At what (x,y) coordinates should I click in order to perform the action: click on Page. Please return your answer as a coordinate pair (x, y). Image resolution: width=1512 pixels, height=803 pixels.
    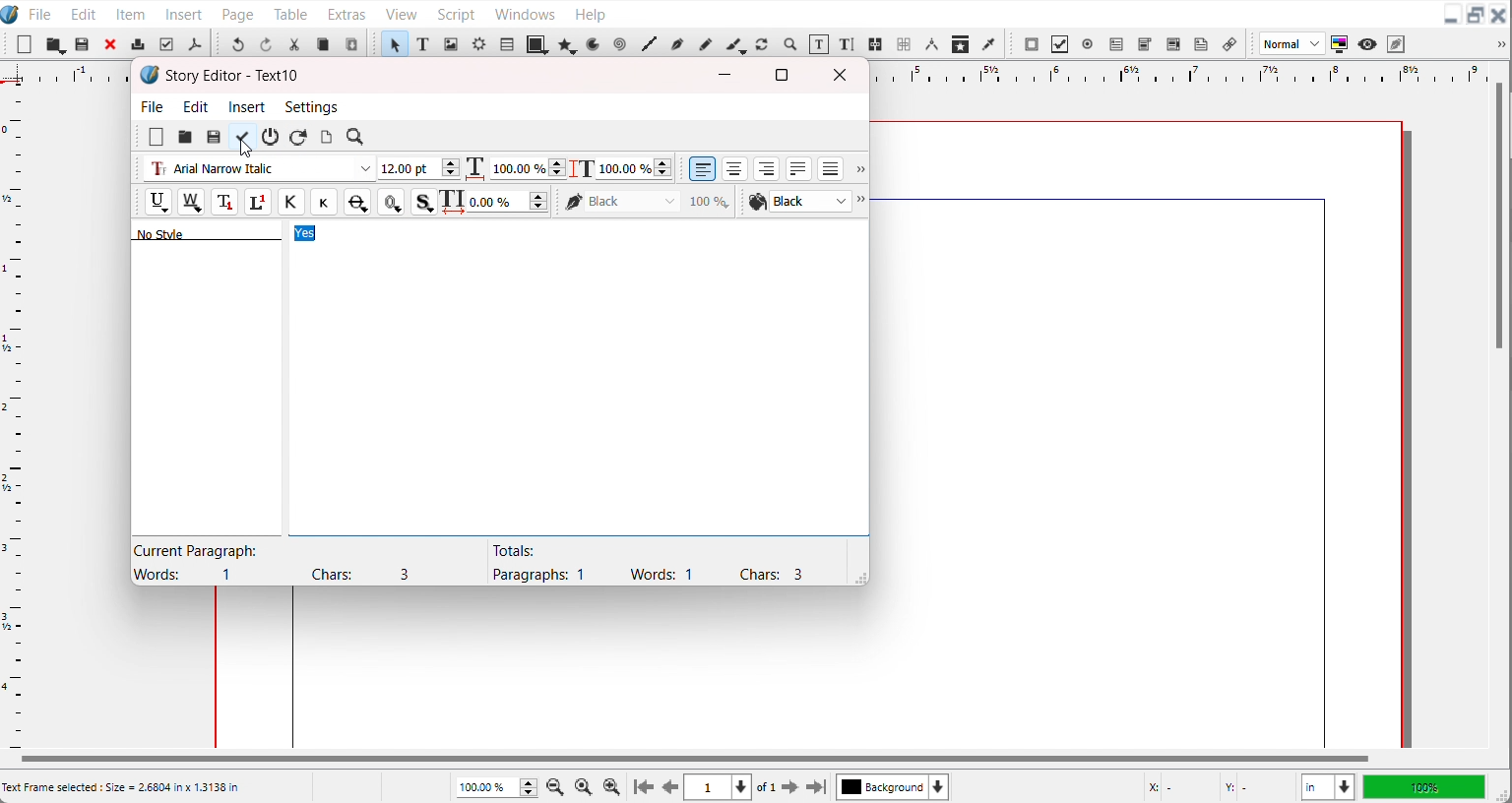
    Looking at the image, I should click on (237, 13).